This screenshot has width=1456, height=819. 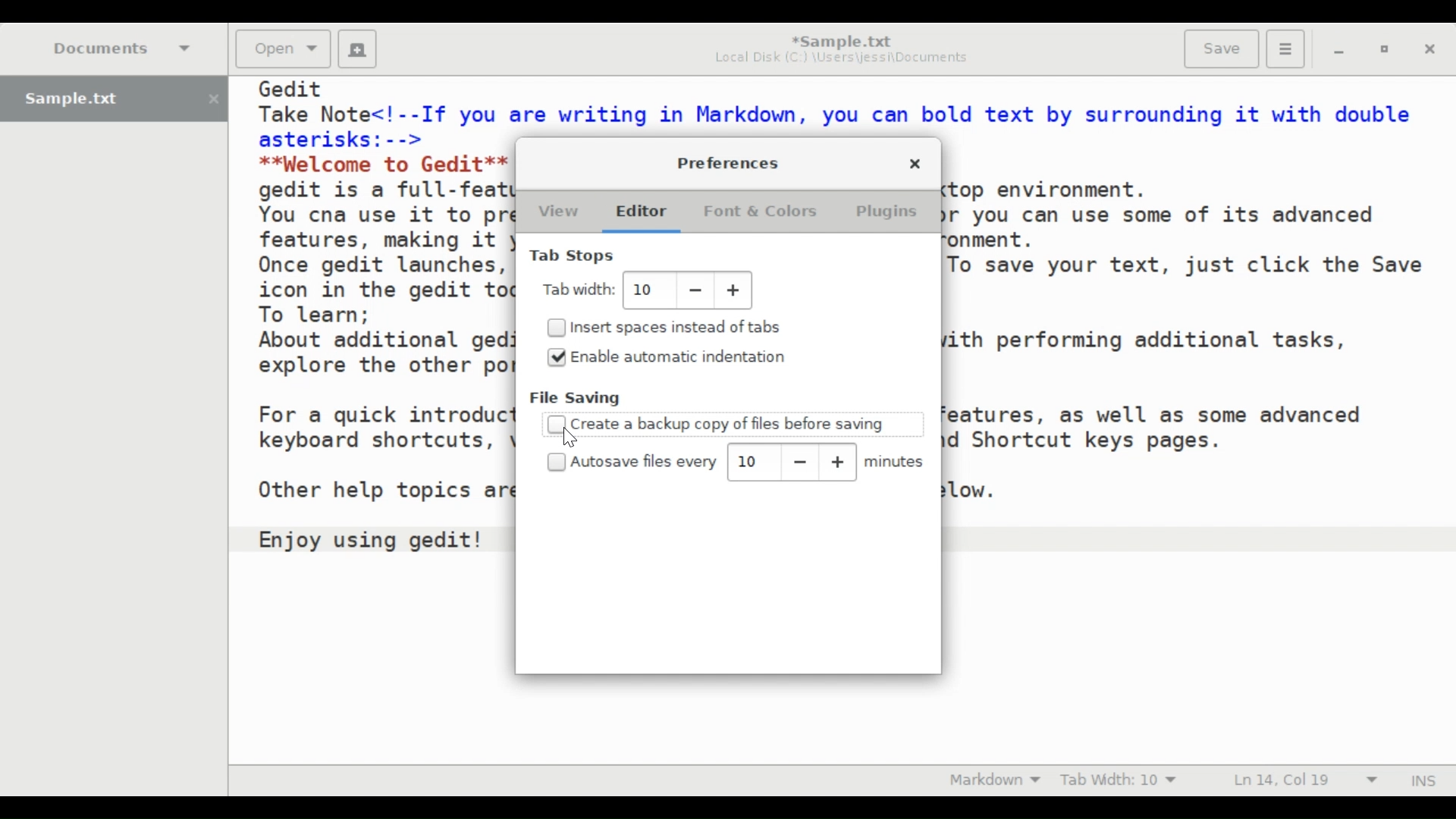 I want to click on minutes, so click(x=897, y=463).